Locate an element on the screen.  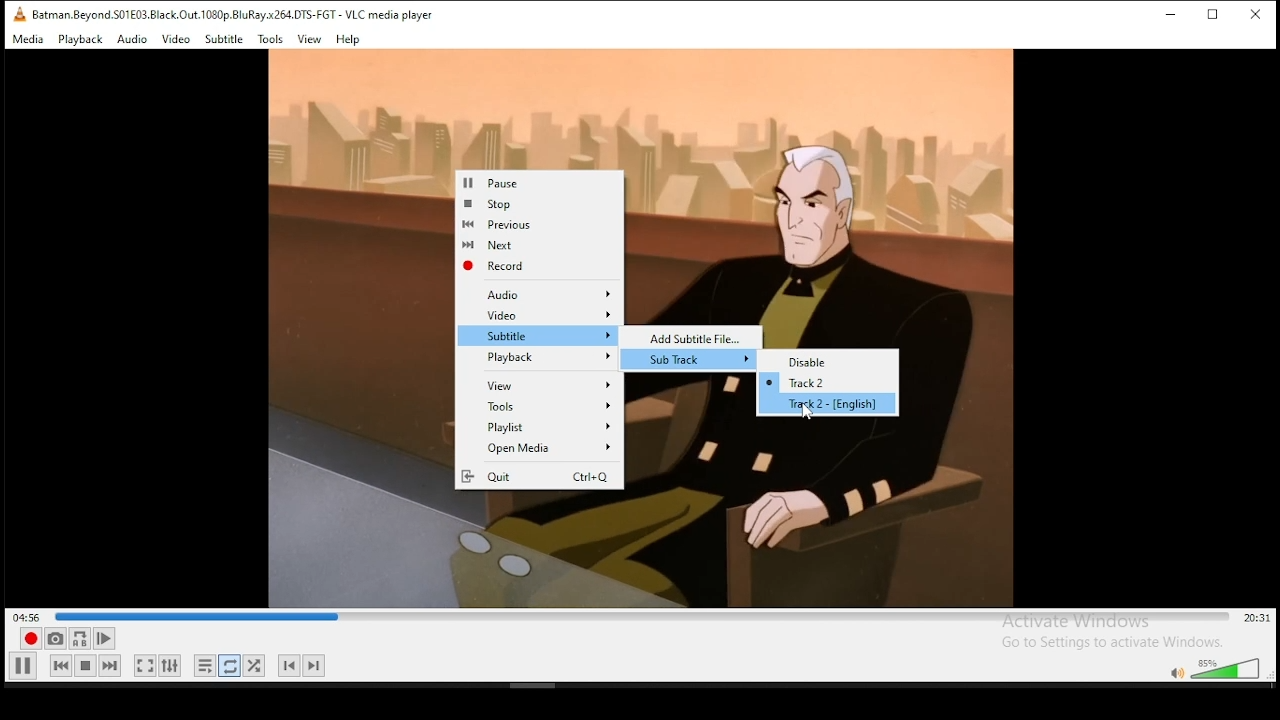
cursor is located at coordinates (809, 415).